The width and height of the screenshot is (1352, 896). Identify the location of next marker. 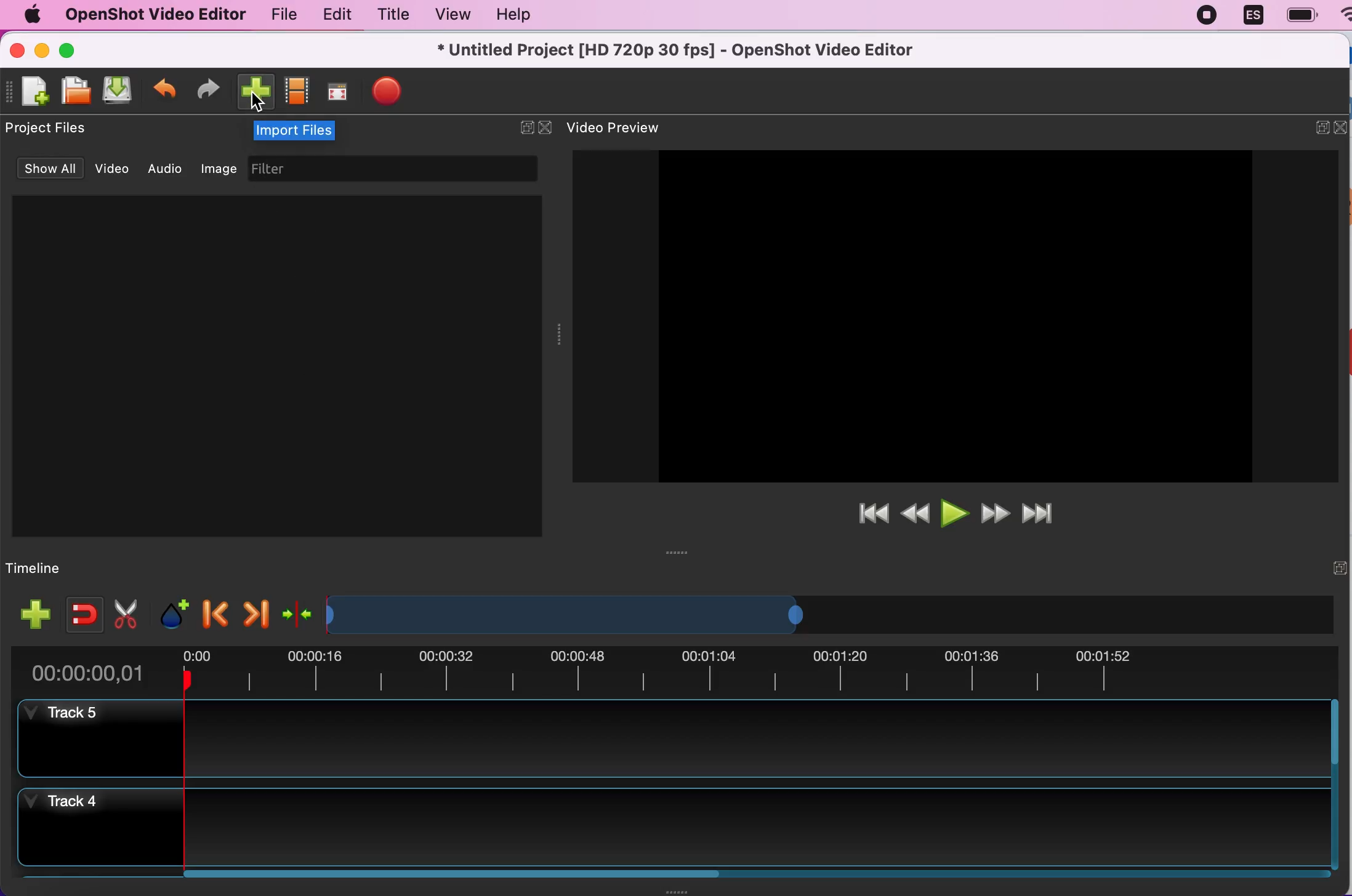
(255, 612).